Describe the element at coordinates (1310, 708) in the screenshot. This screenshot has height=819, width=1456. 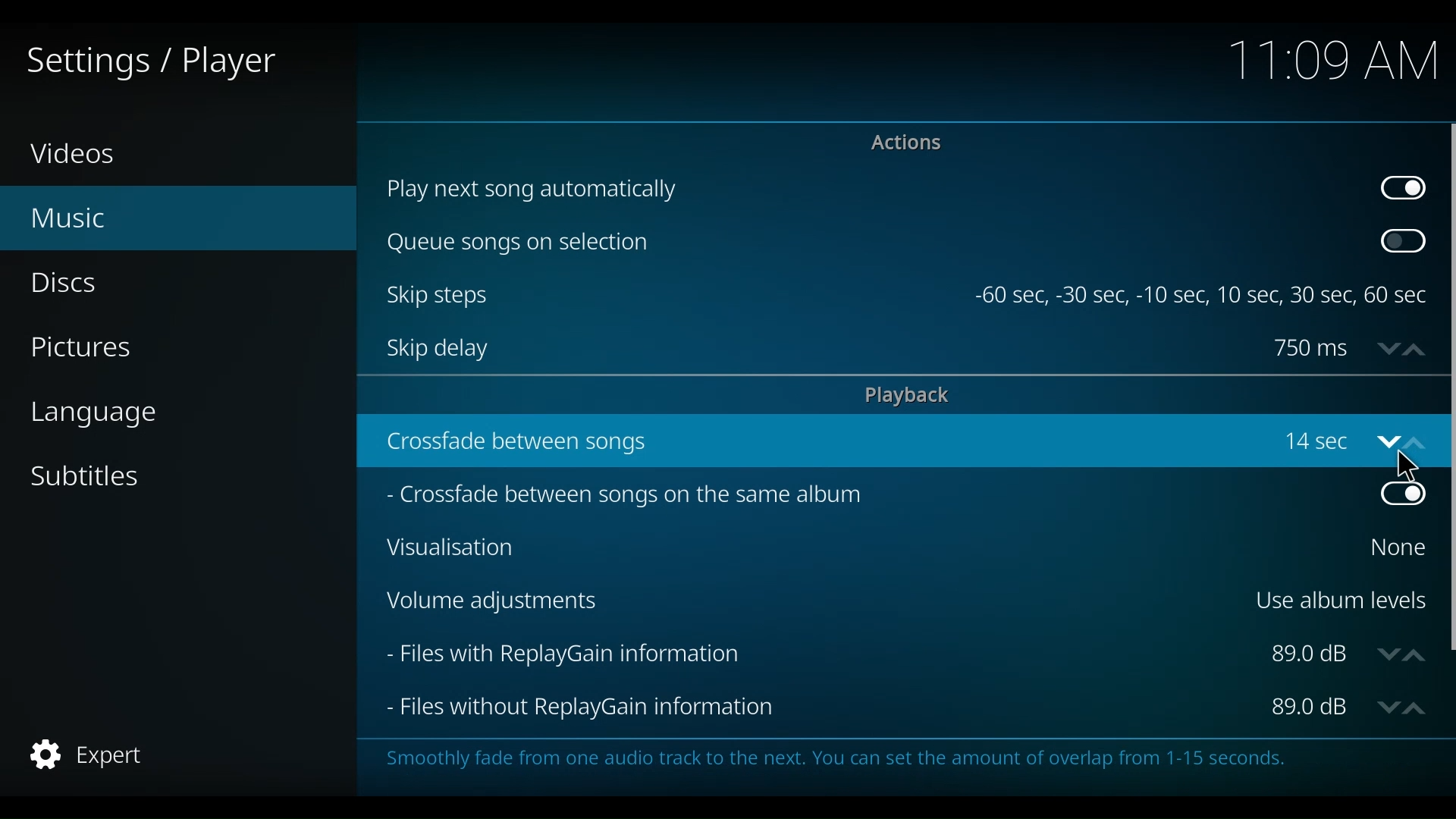
I see `Files without ReplayGain information dB` at that location.